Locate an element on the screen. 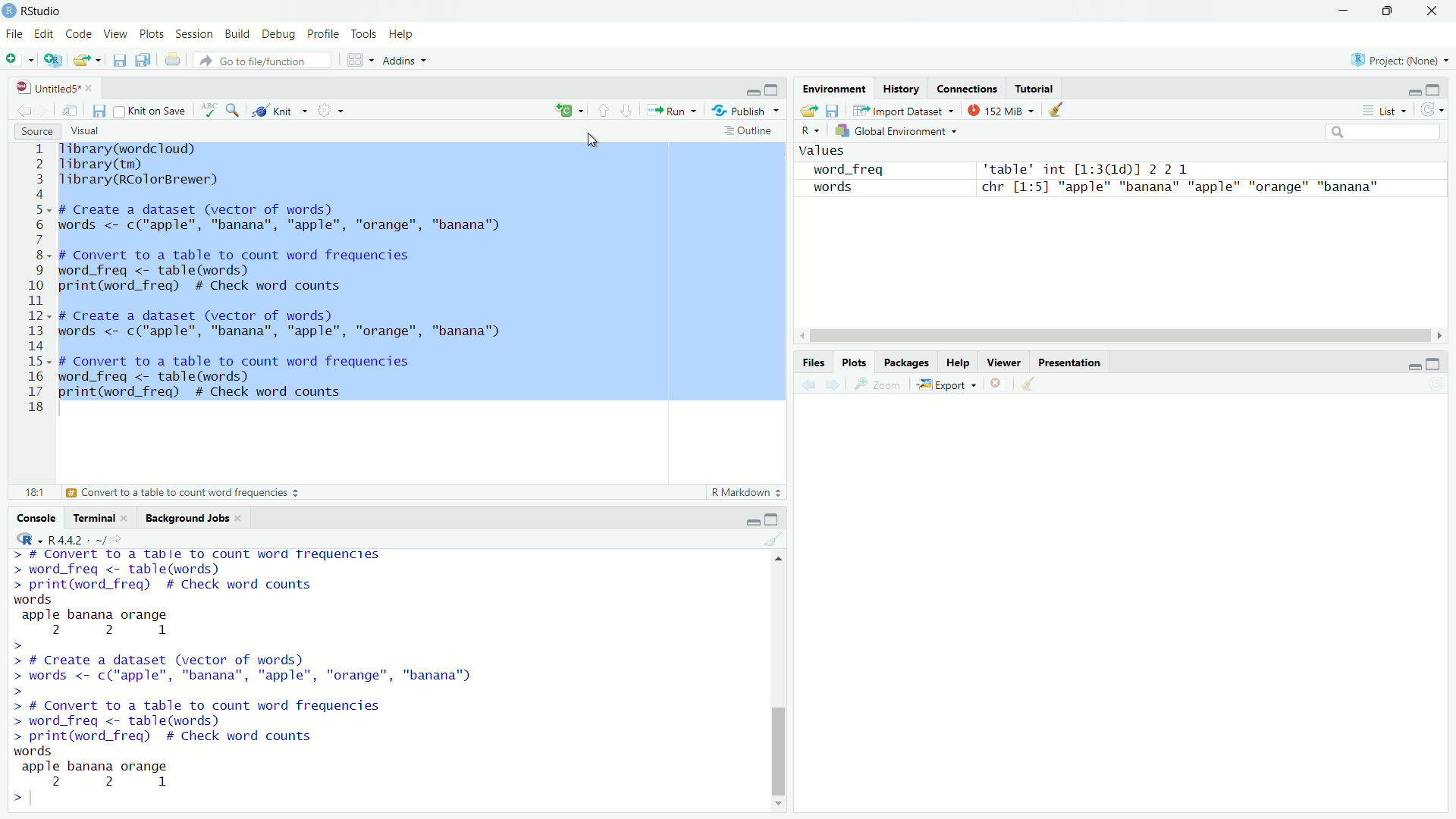 The height and width of the screenshot is (819, 1456). Clear console is located at coordinates (777, 541).